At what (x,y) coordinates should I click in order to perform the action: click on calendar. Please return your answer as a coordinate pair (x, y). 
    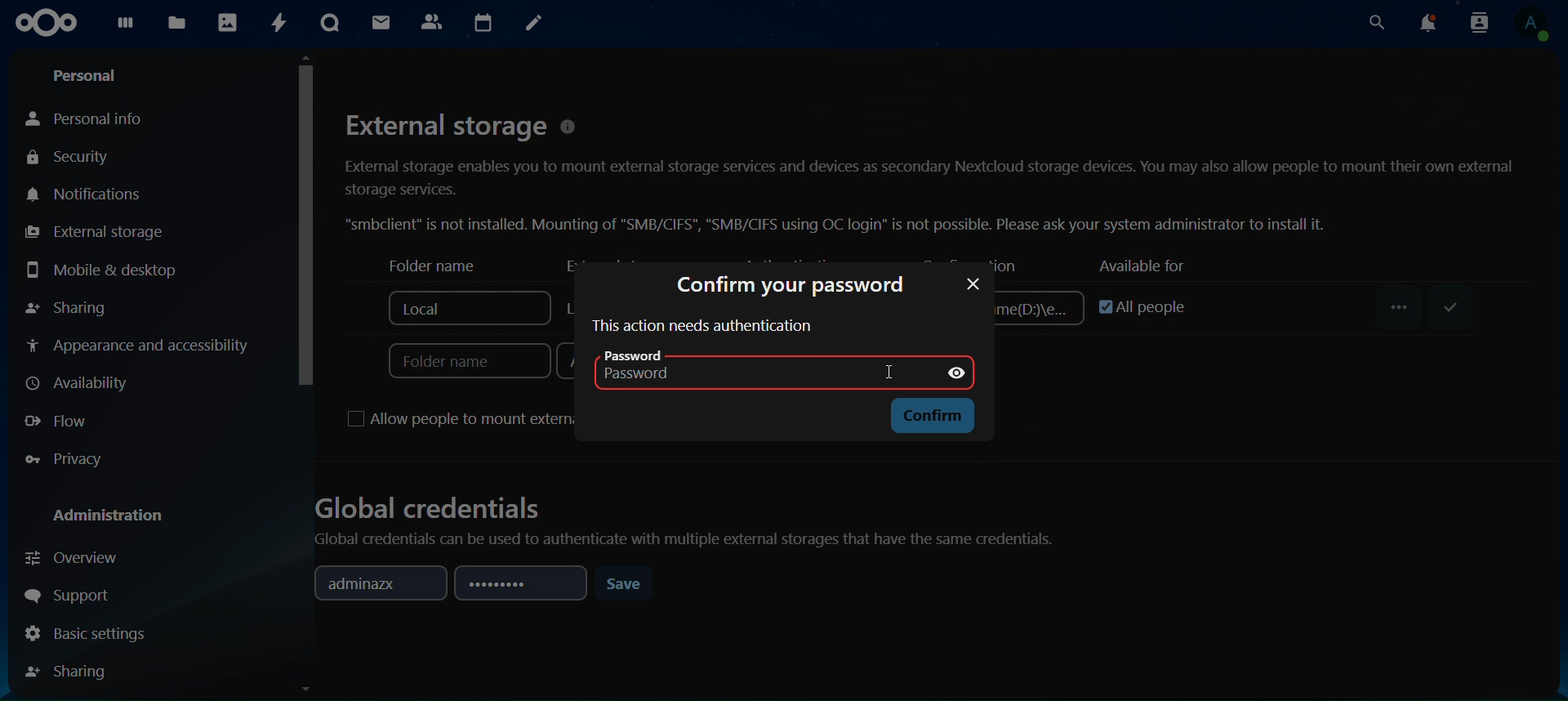
    Looking at the image, I should click on (484, 21).